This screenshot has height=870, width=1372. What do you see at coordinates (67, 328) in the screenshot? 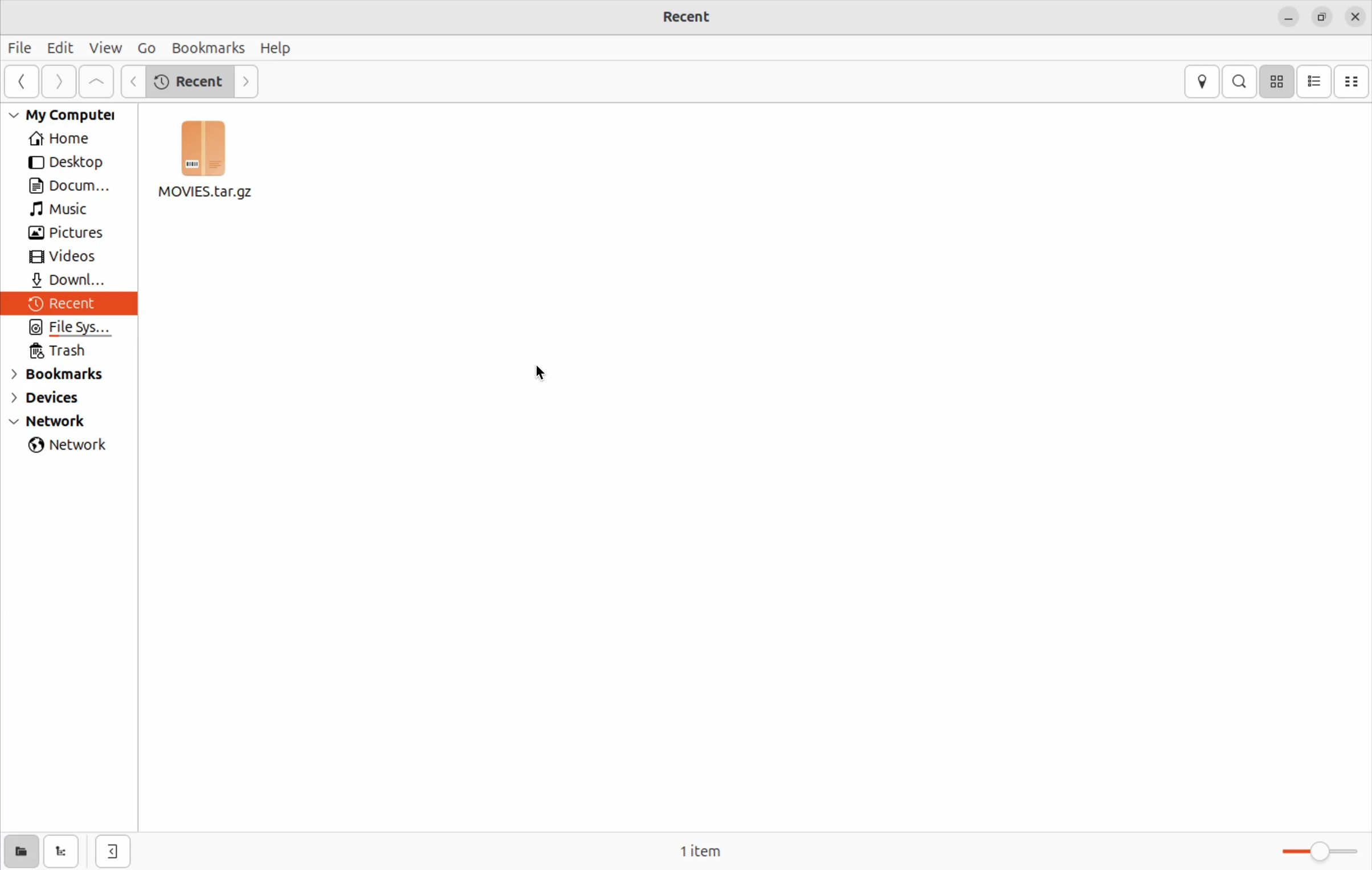
I see `file system` at bounding box center [67, 328].